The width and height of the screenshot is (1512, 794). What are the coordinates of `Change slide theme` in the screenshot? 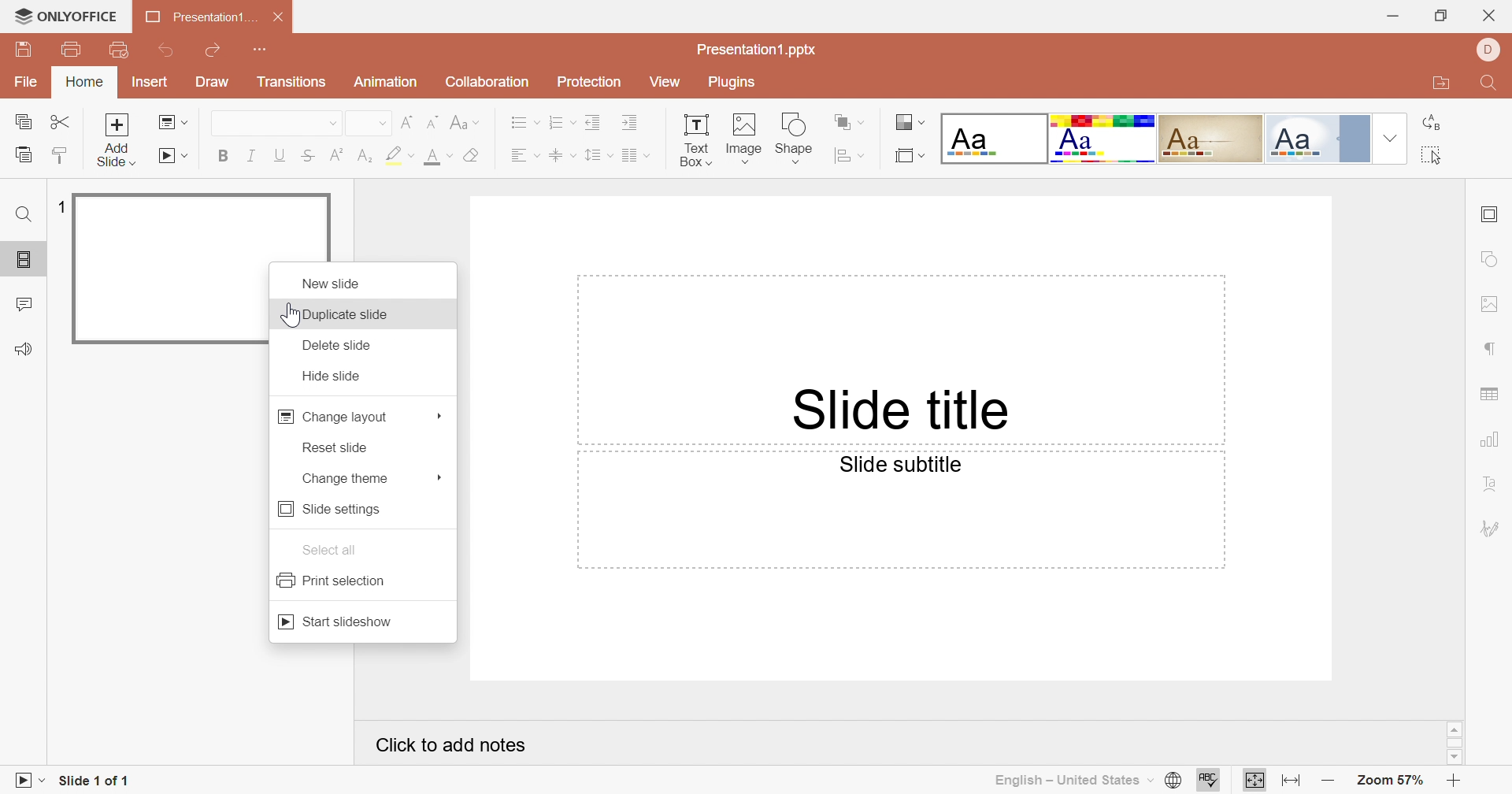 It's located at (902, 119).